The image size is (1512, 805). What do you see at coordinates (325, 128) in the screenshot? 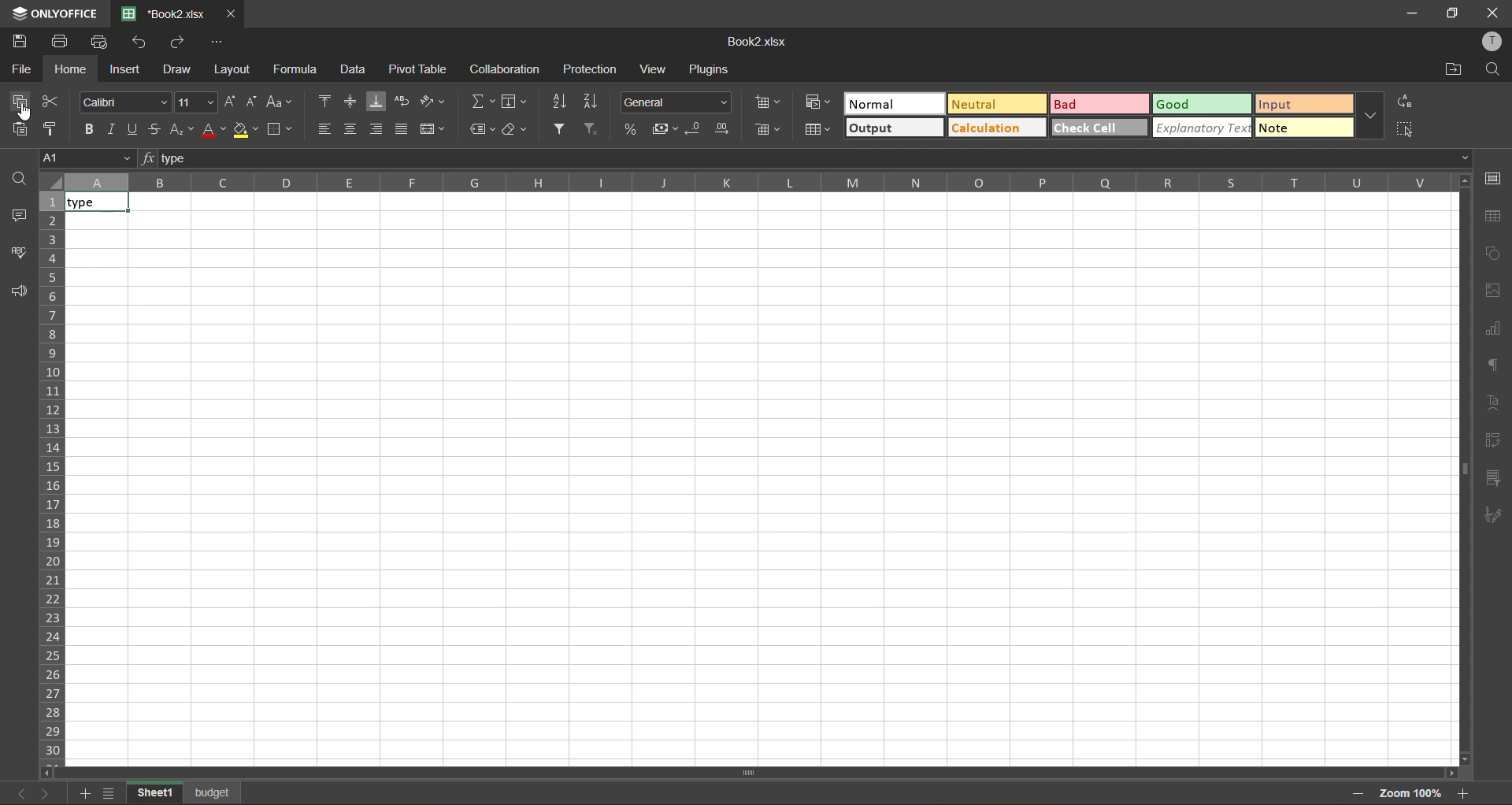
I see `align left` at bounding box center [325, 128].